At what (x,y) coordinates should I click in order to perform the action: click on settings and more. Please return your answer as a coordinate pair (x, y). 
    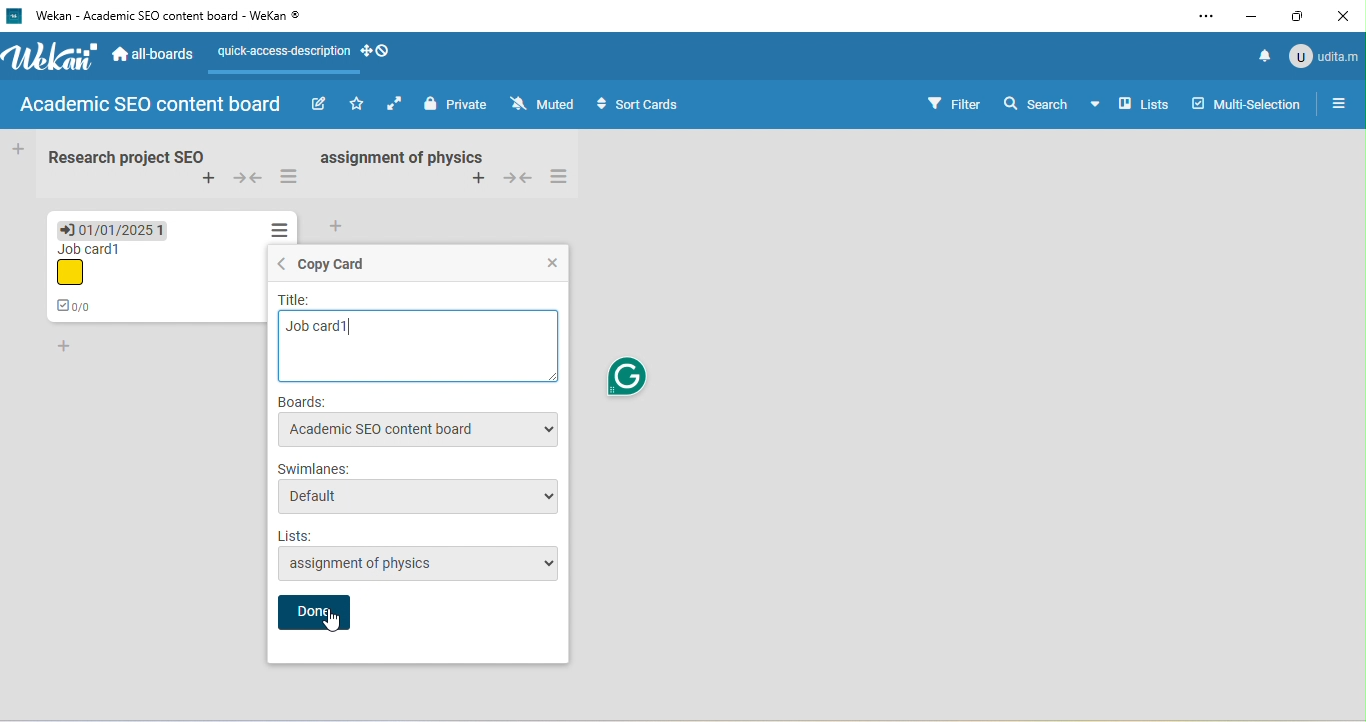
    Looking at the image, I should click on (1206, 18).